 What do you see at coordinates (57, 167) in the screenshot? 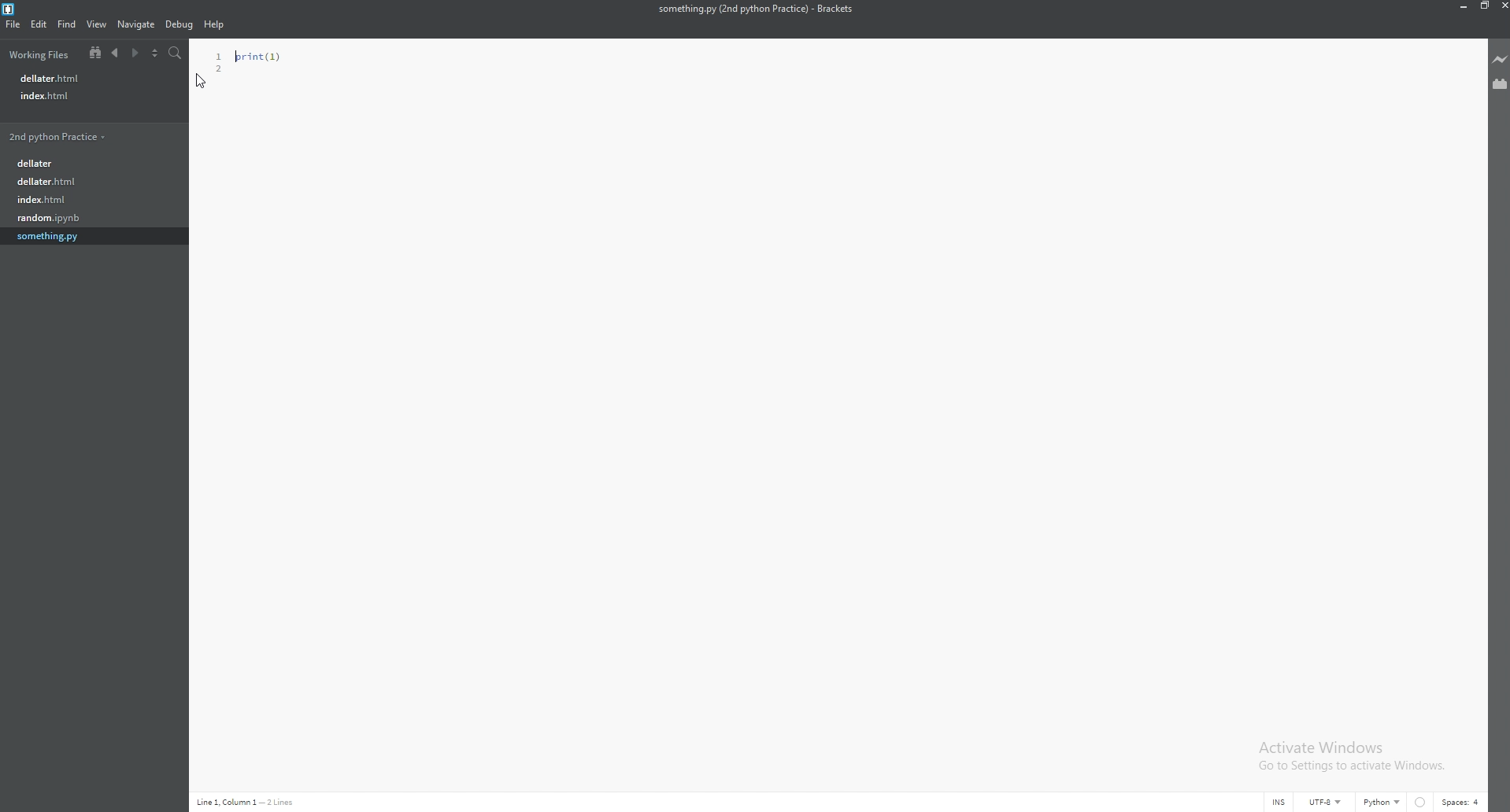
I see `folder` at bounding box center [57, 167].